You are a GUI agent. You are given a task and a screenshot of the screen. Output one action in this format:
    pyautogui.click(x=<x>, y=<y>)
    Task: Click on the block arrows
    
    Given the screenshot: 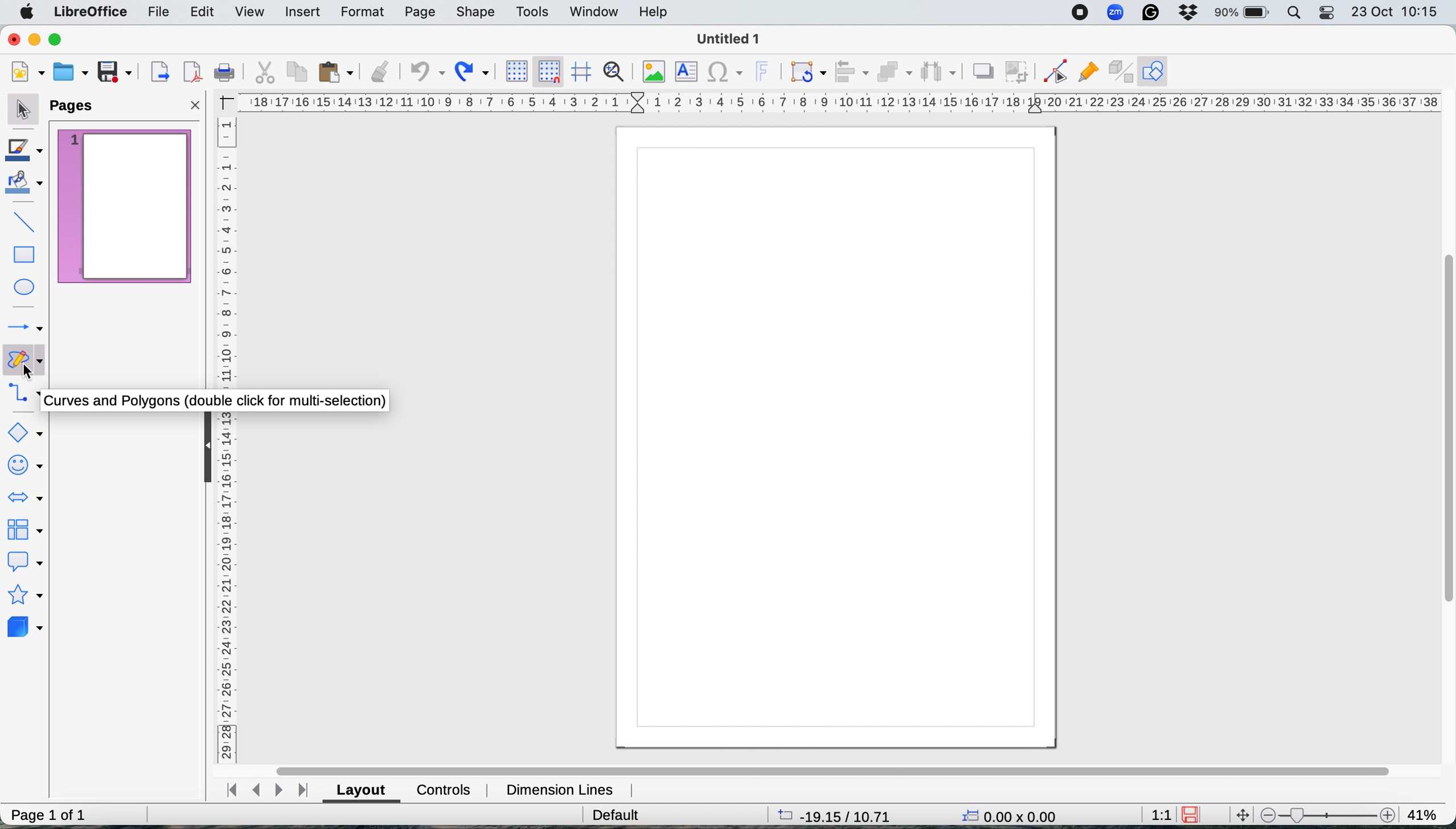 What is the action you would take?
    pyautogui.click(x=26, y=495)
    